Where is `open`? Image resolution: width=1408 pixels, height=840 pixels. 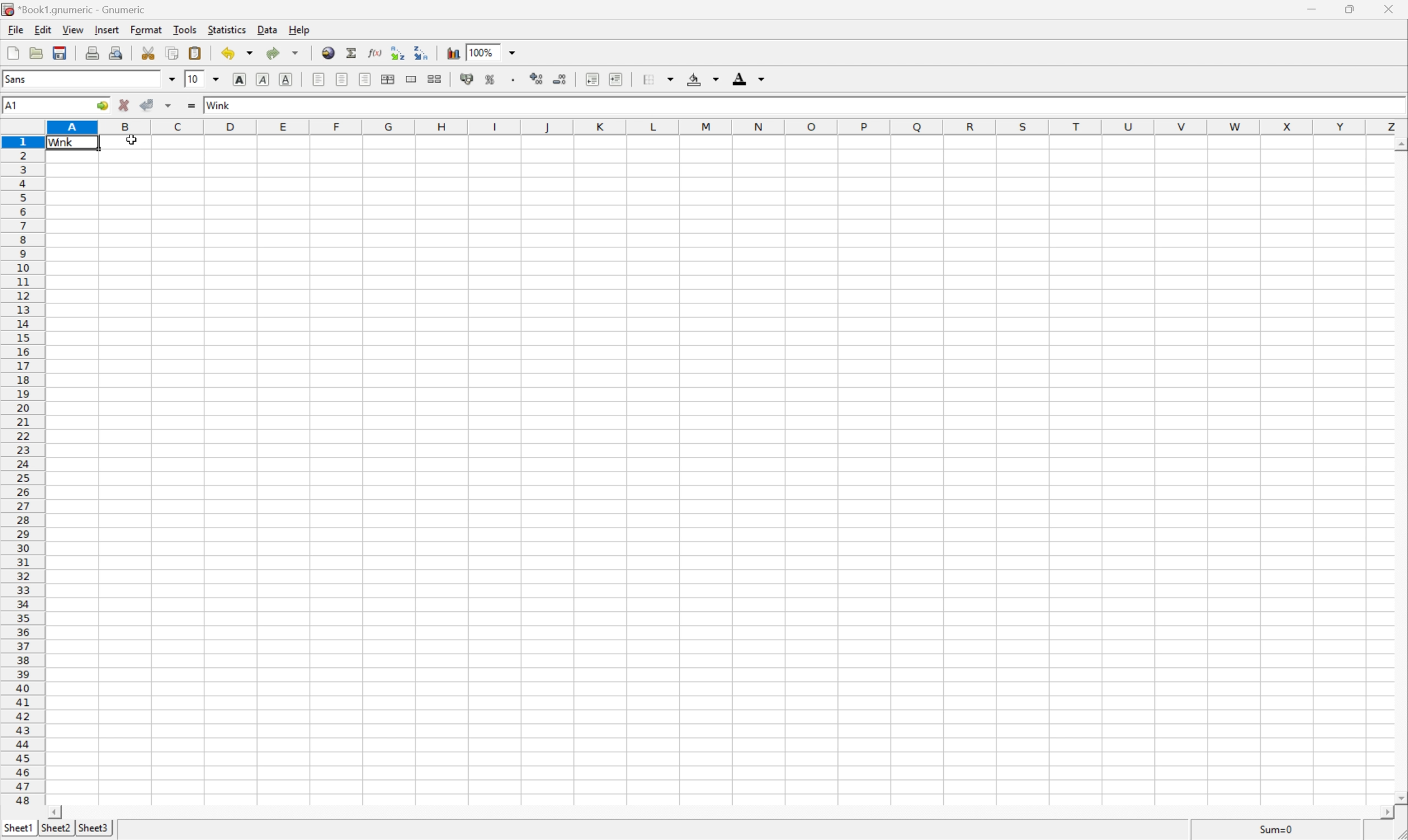
open is located at coordinates (36, 53).